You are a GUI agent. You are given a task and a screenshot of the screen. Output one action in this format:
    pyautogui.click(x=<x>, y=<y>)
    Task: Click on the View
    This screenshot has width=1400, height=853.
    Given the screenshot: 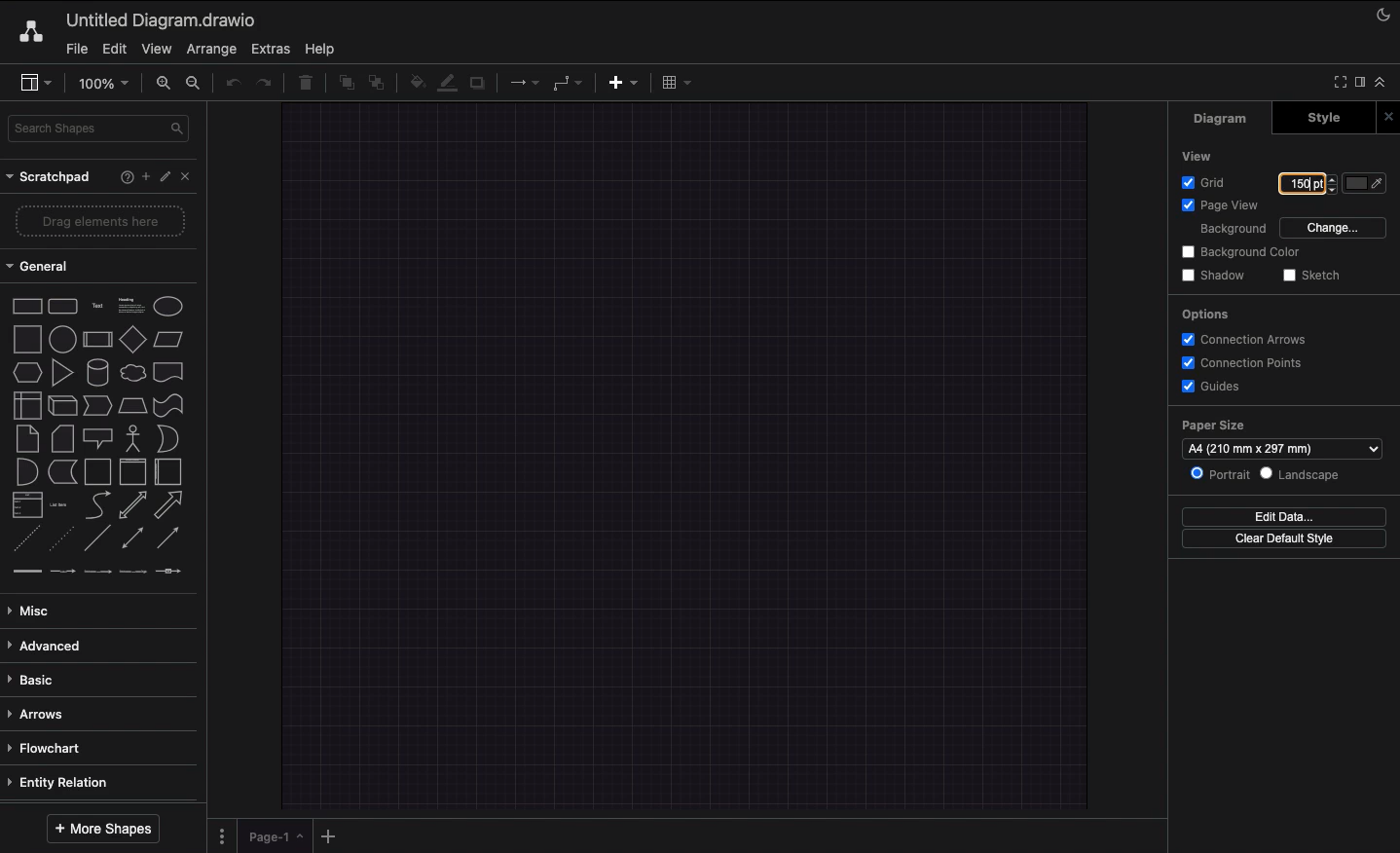 What is the action you would take?
    pyautogui.click(x=155, y=50)
    